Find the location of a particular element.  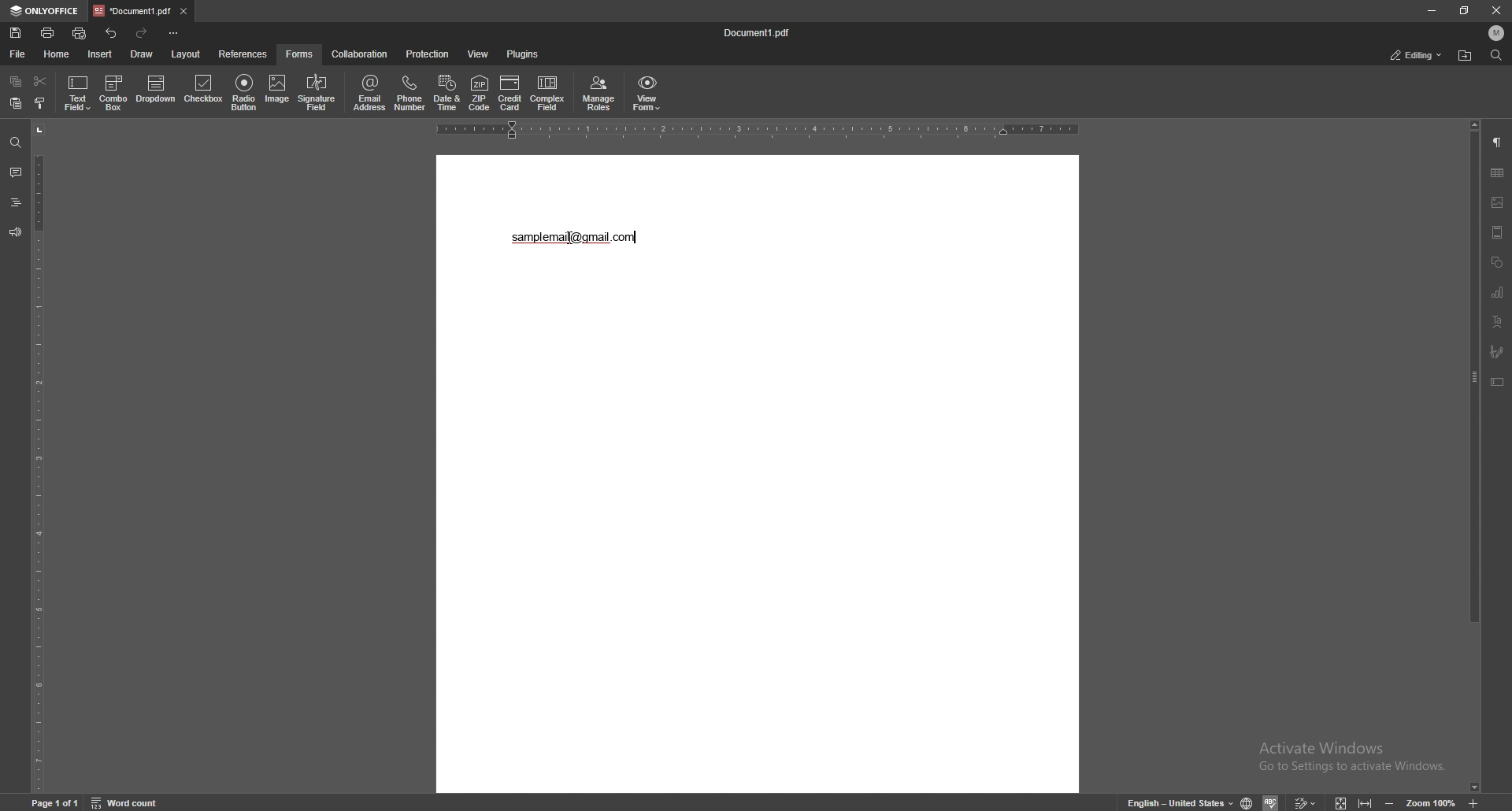

text is located at coordinates (579, 238).